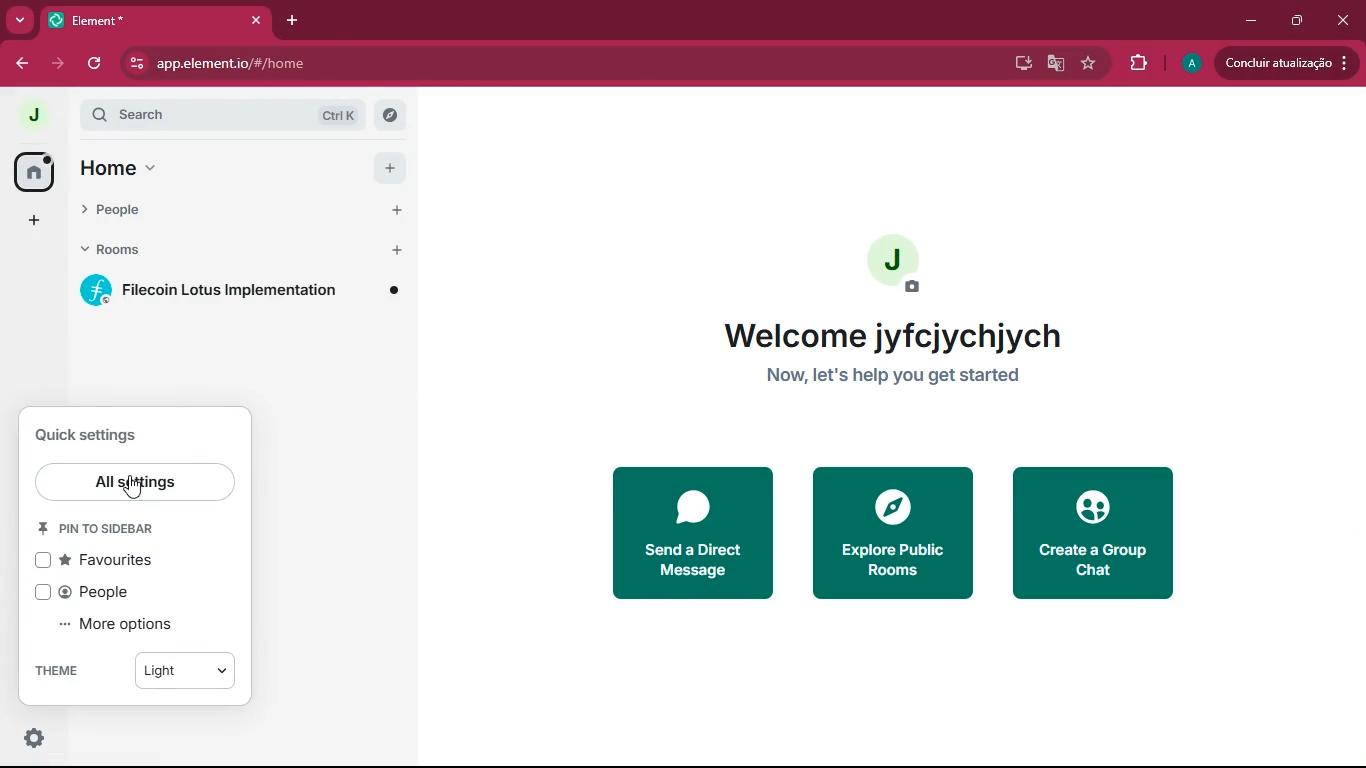  I want to click on close, so click(1346, 20).